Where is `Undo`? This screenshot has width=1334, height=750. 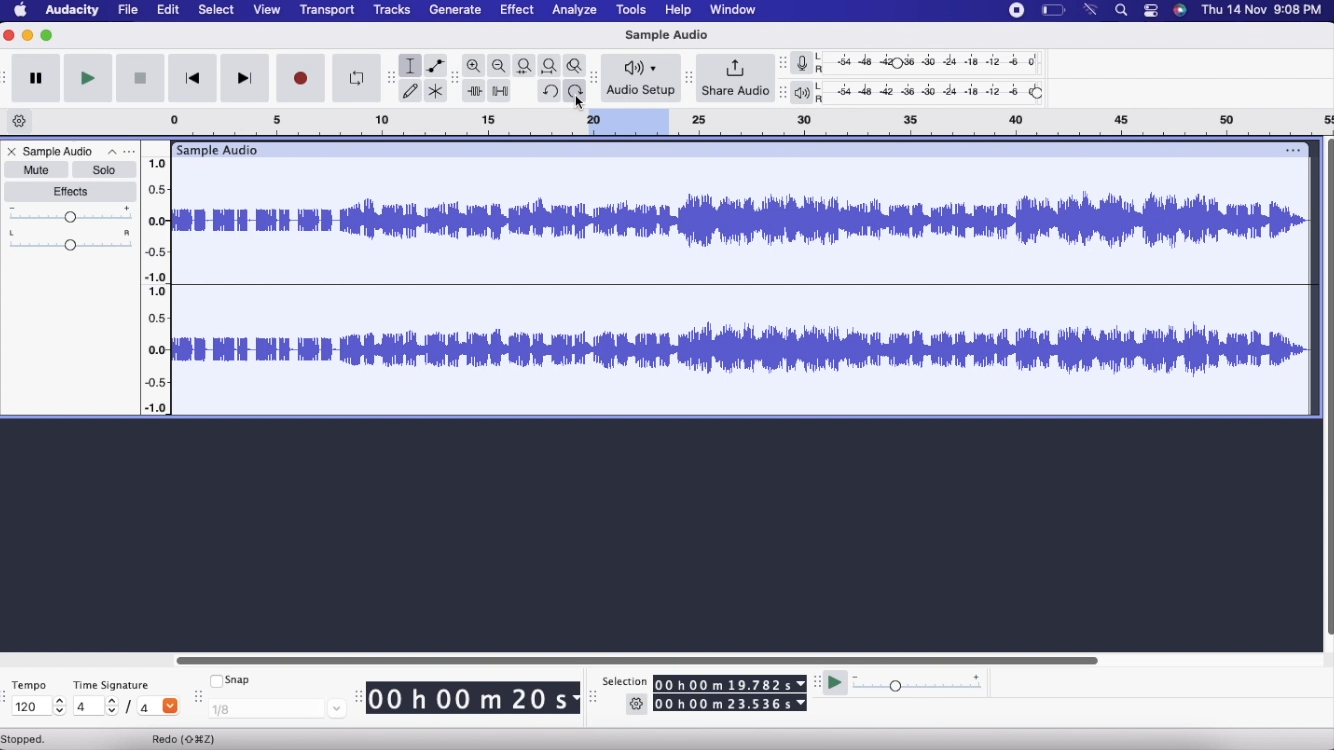
Undo is located at coordinates (549, 91).